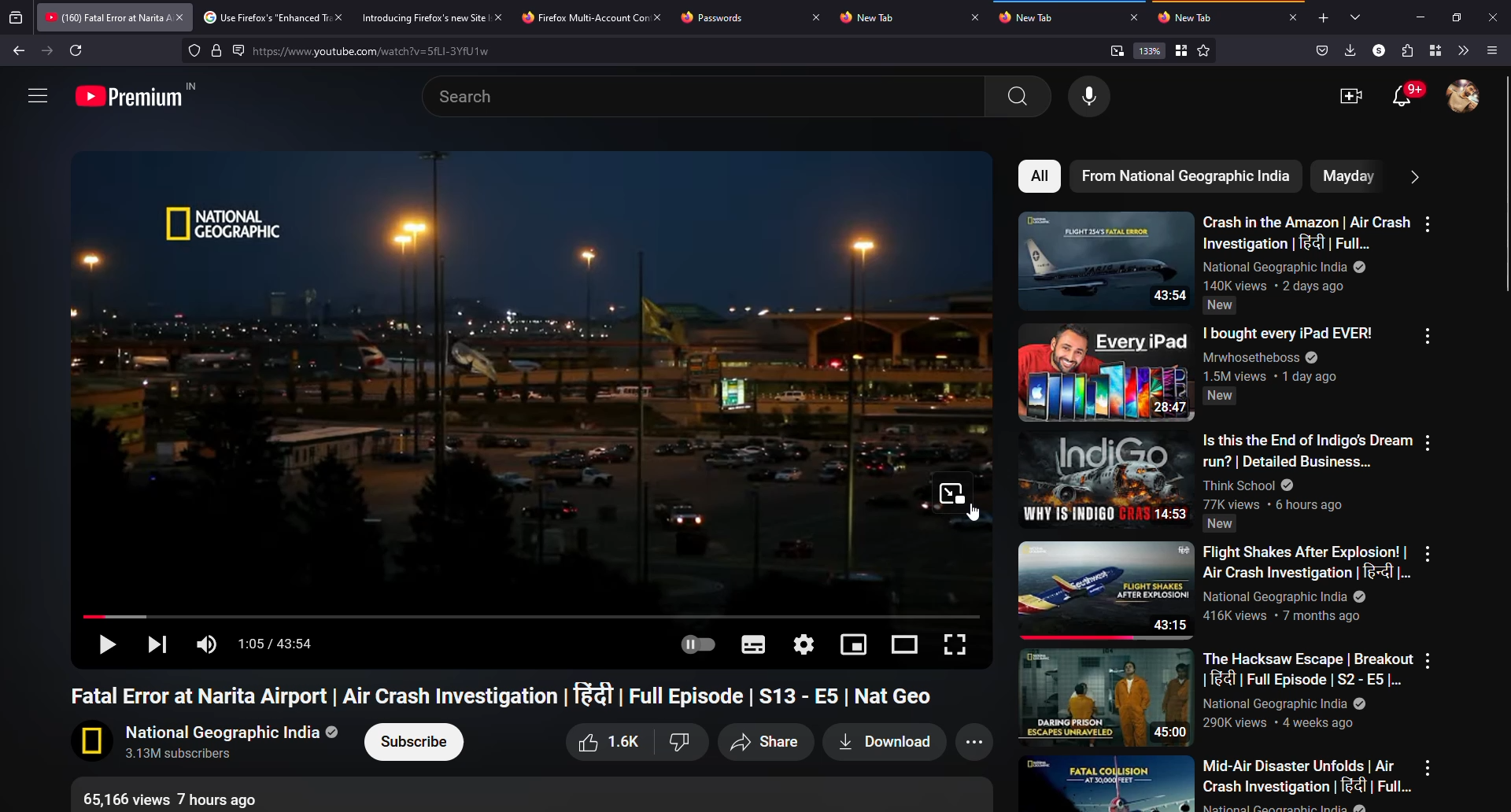 The image size is (1511, 812). I want to click on subtitle, so click(752, 645).